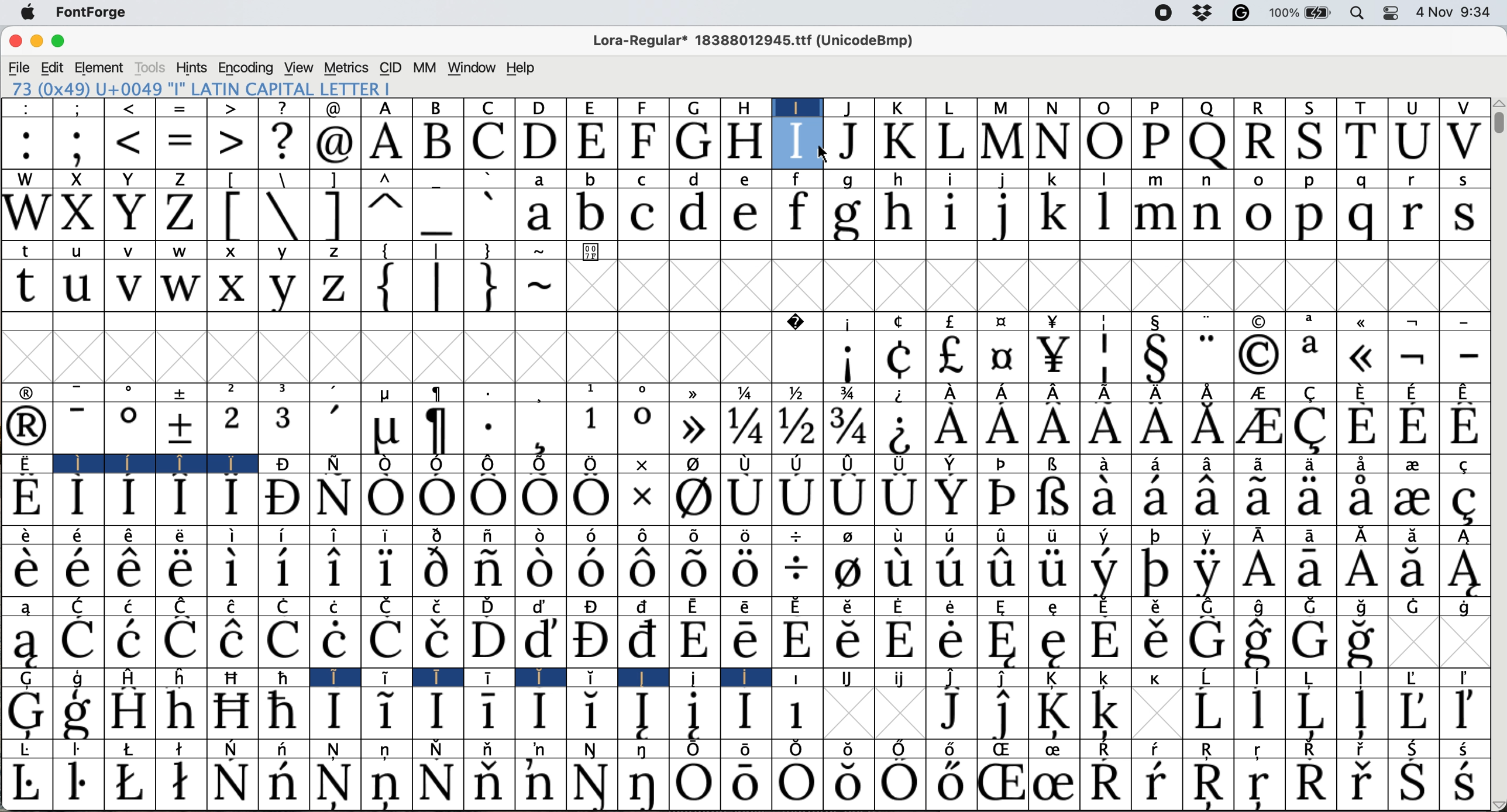 The width and height of the screenshot is (1507, 812). I want to click on ., so click(489, 392).